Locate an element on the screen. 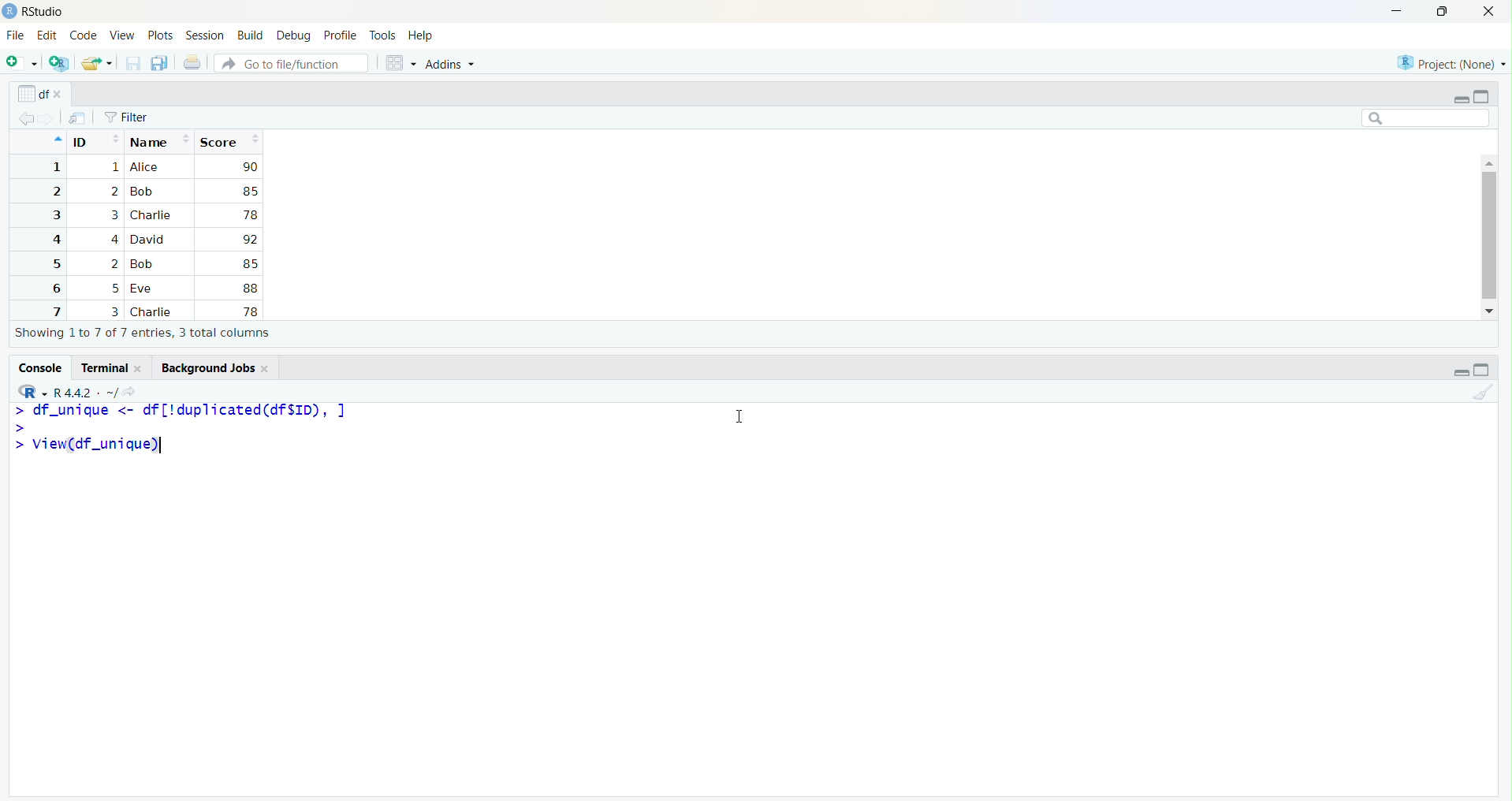  maximize is located at coordinates (1482, 96).